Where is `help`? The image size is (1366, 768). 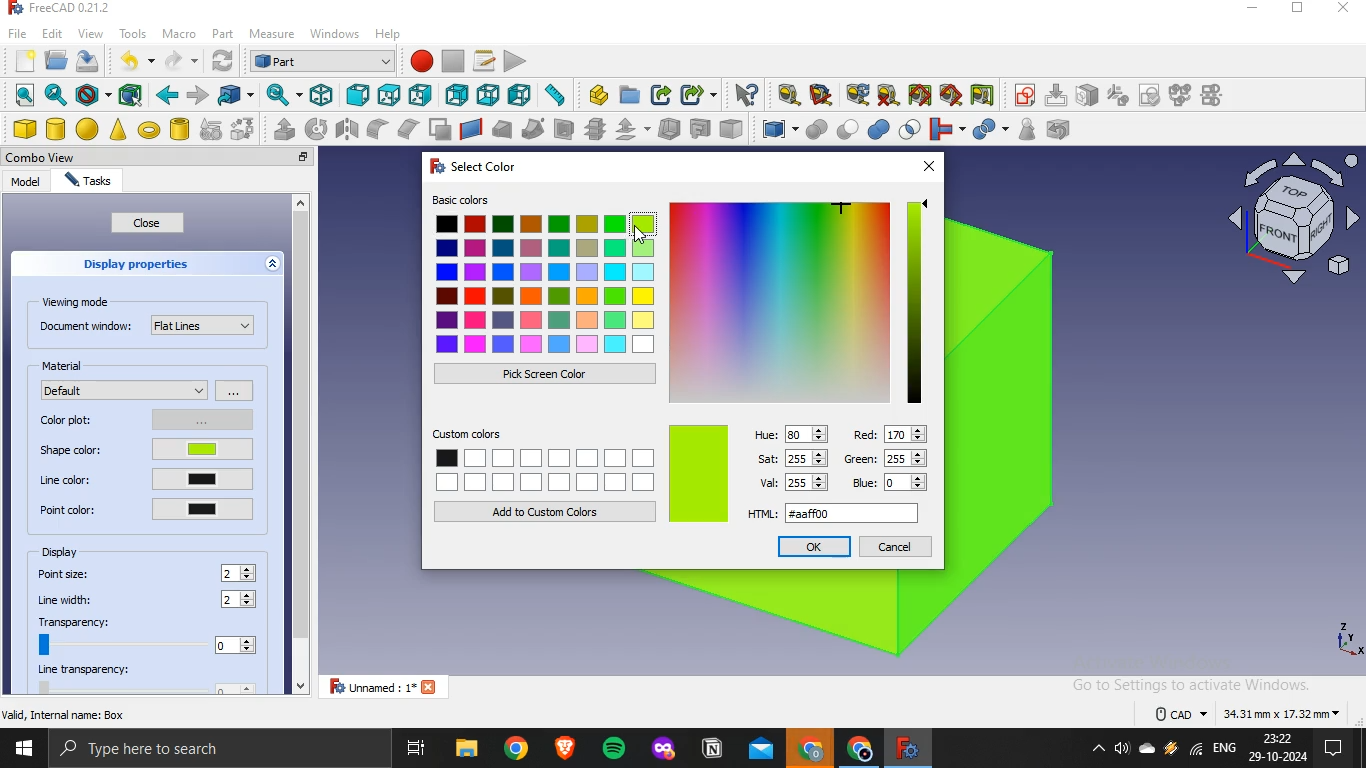
help is located at coordinates (389, 33).